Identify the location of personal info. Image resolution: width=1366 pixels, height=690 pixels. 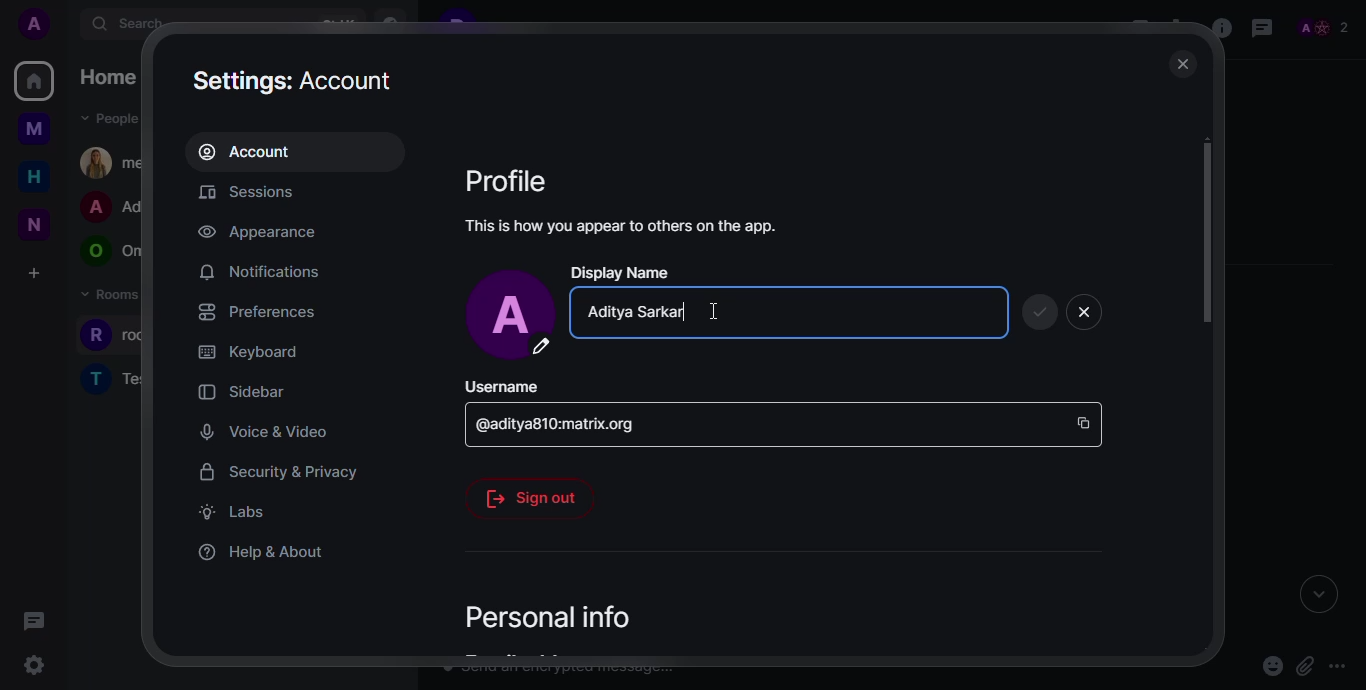
(540, 617).